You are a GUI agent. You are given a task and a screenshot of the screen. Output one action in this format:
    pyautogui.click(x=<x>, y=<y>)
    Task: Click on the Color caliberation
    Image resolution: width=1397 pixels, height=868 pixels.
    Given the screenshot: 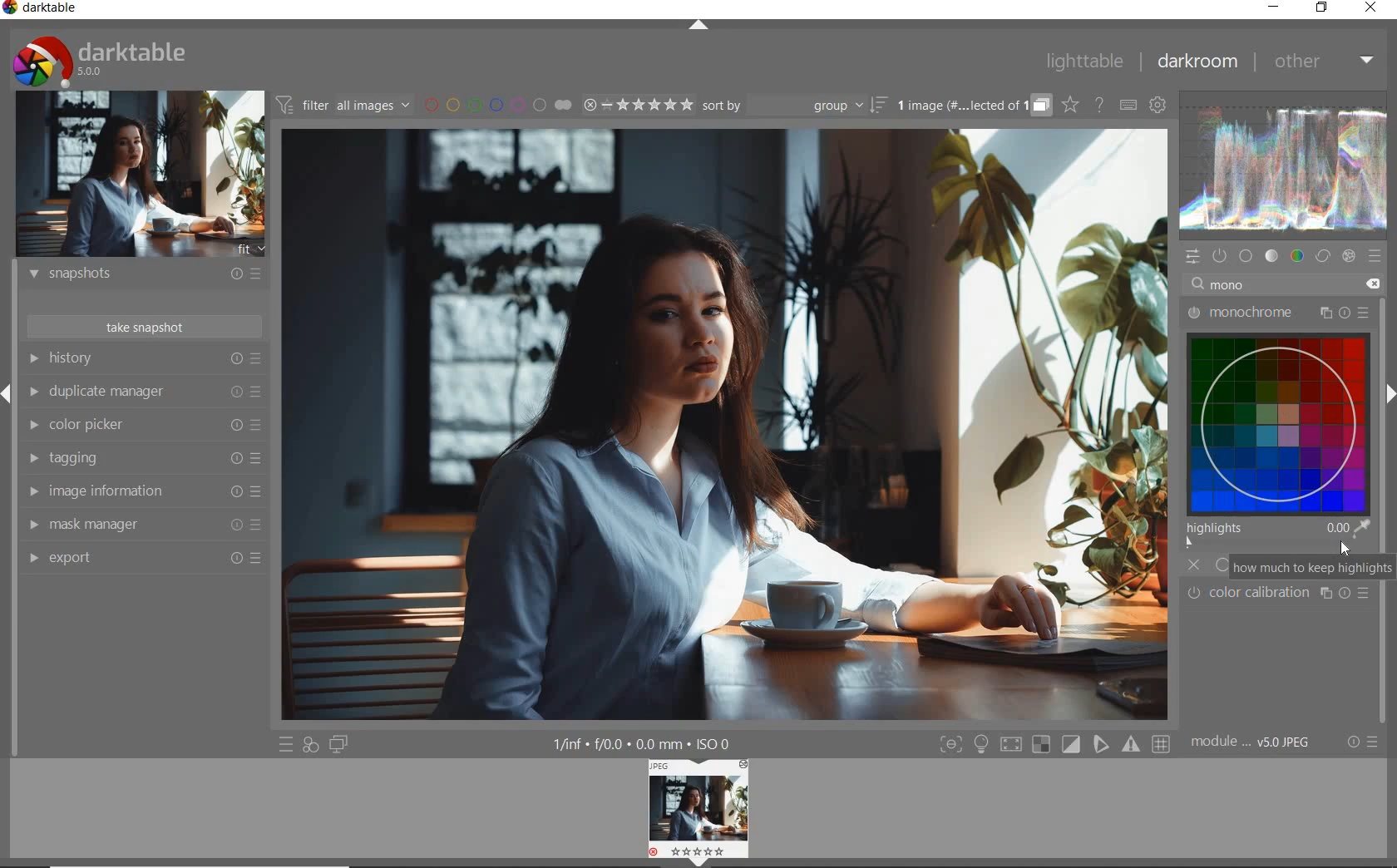 What is the action you would take?
    pyautogui.click(x=1281, y=594)
    